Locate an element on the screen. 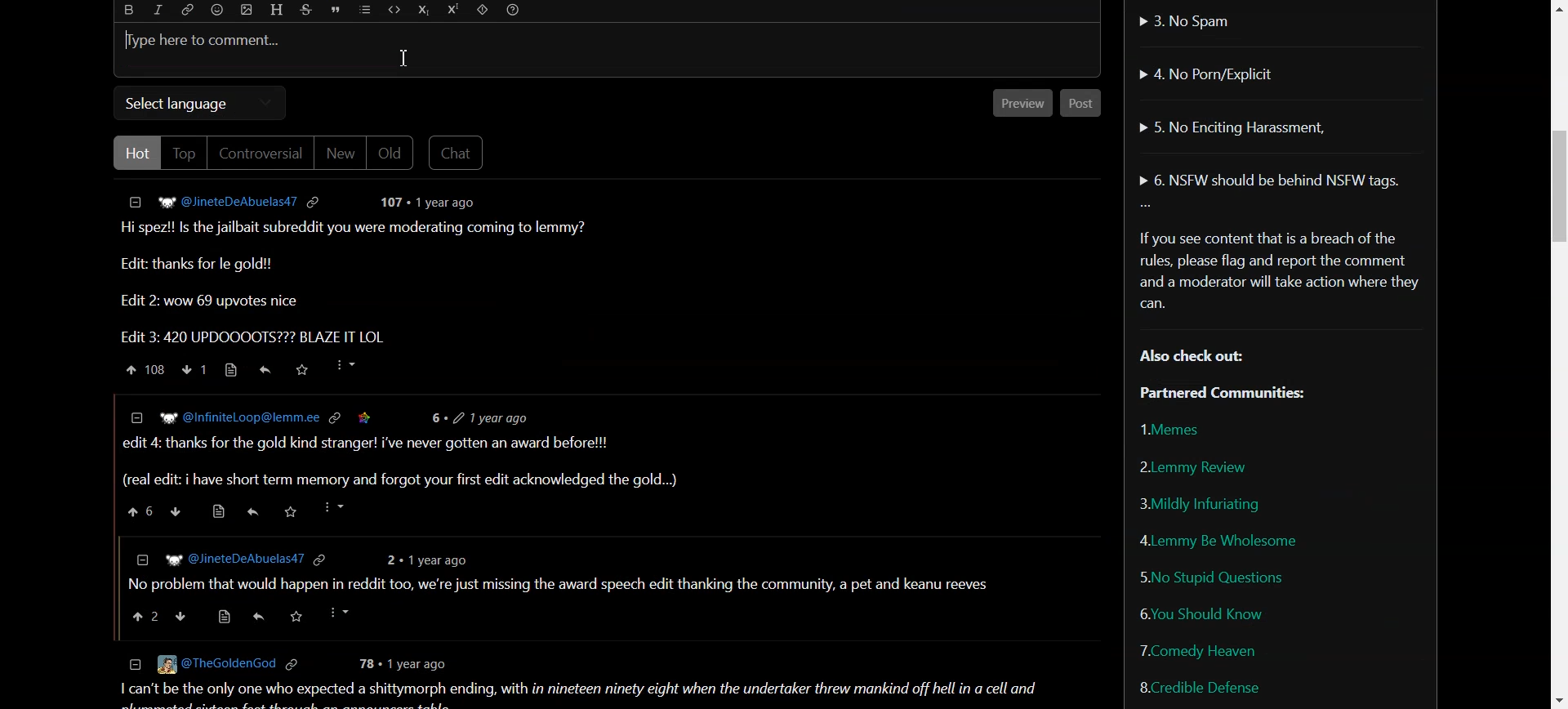 The width and height of the screenshot is (1568, 709). No Porn/Explicit is located at coordinates (1212, 73).